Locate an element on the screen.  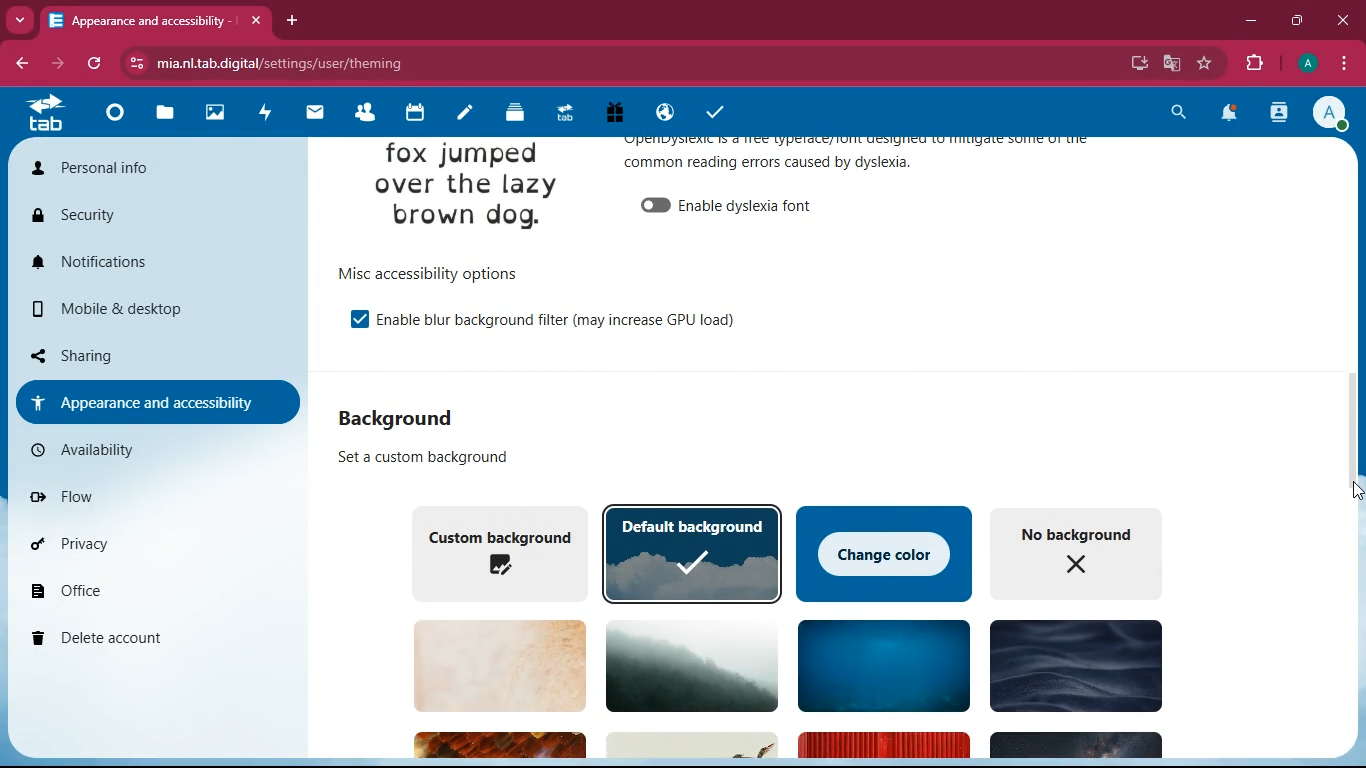
activity is located at coordinates (266, 114).